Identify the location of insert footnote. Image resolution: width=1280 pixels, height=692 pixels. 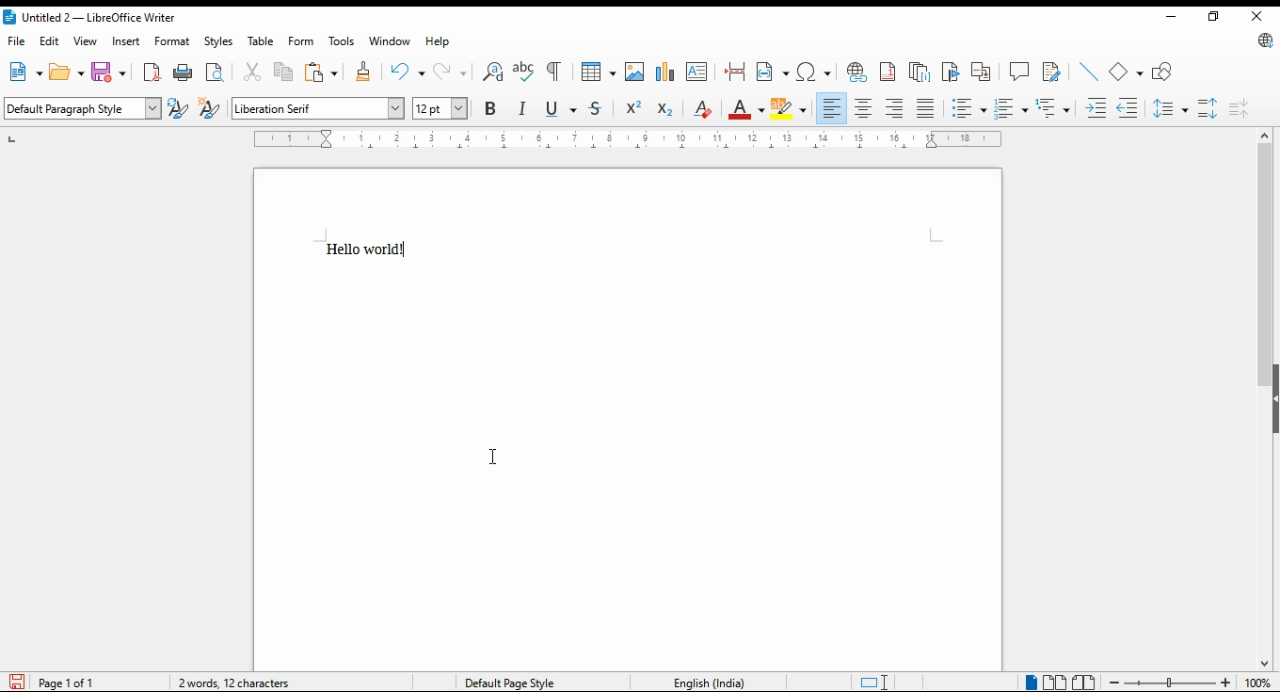
(887, 72).